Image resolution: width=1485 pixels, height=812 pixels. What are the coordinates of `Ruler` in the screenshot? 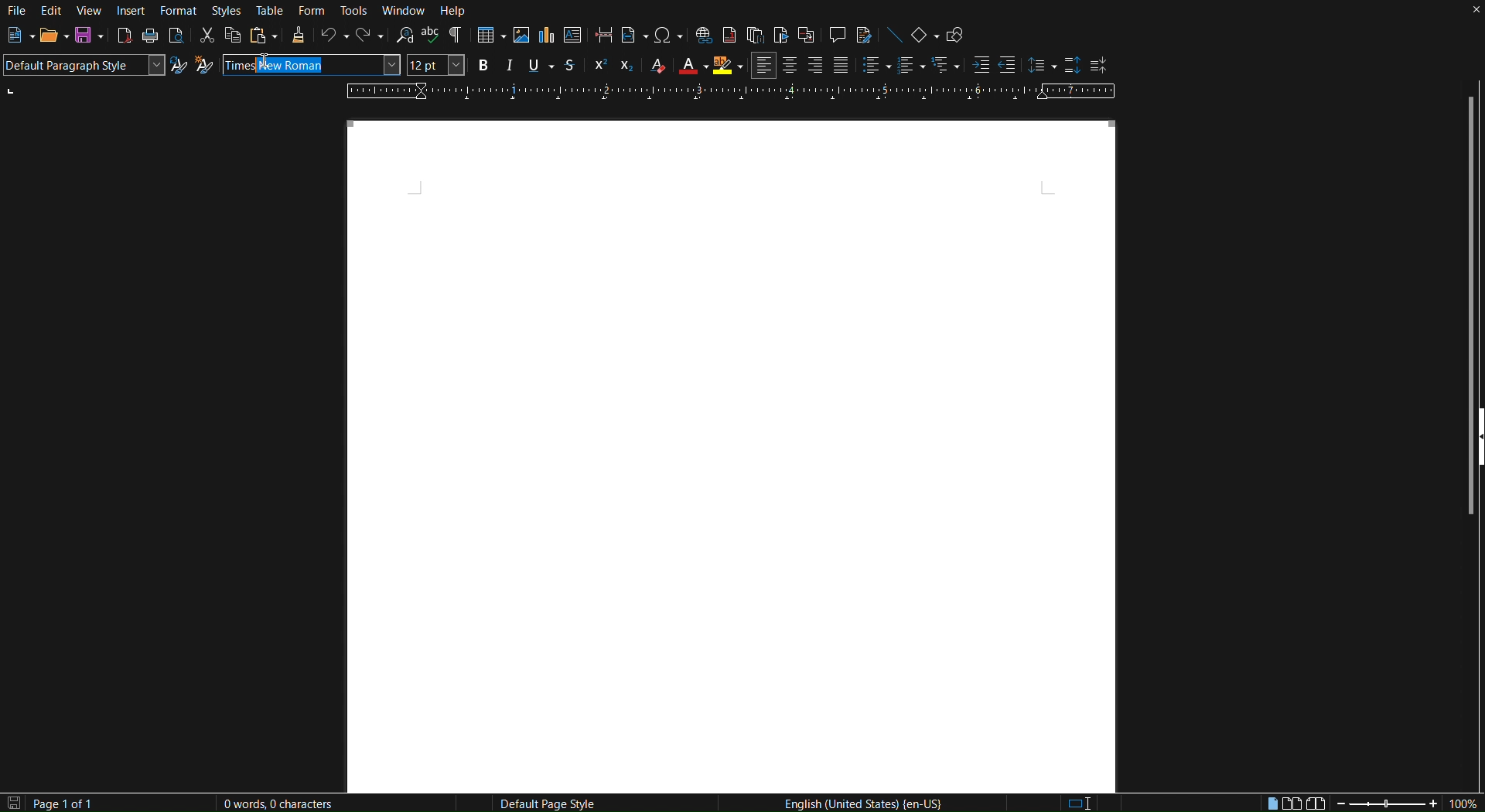 It's located at (731, 90).